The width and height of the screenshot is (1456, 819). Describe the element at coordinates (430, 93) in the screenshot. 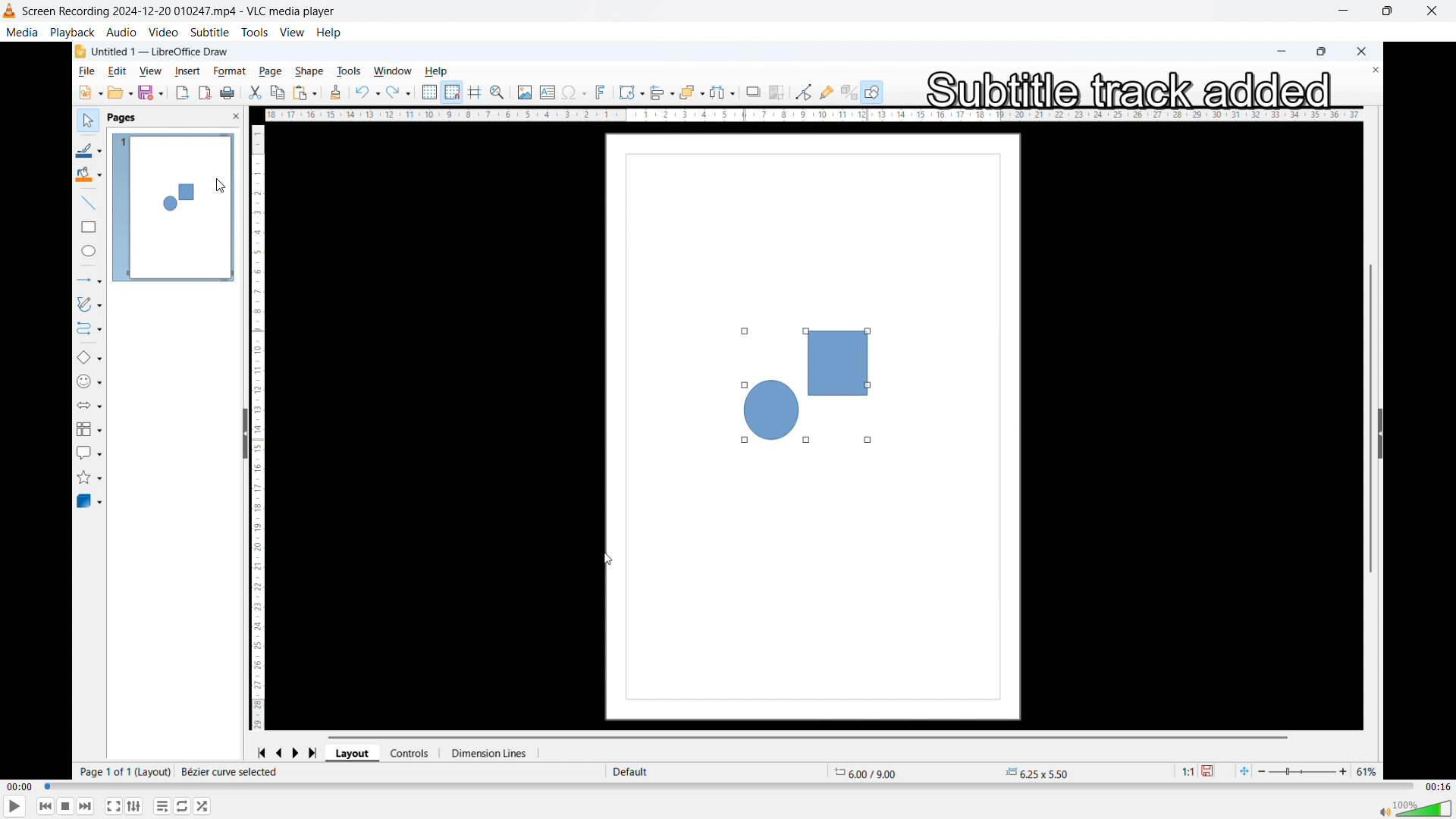

I see `display grid` at that location.